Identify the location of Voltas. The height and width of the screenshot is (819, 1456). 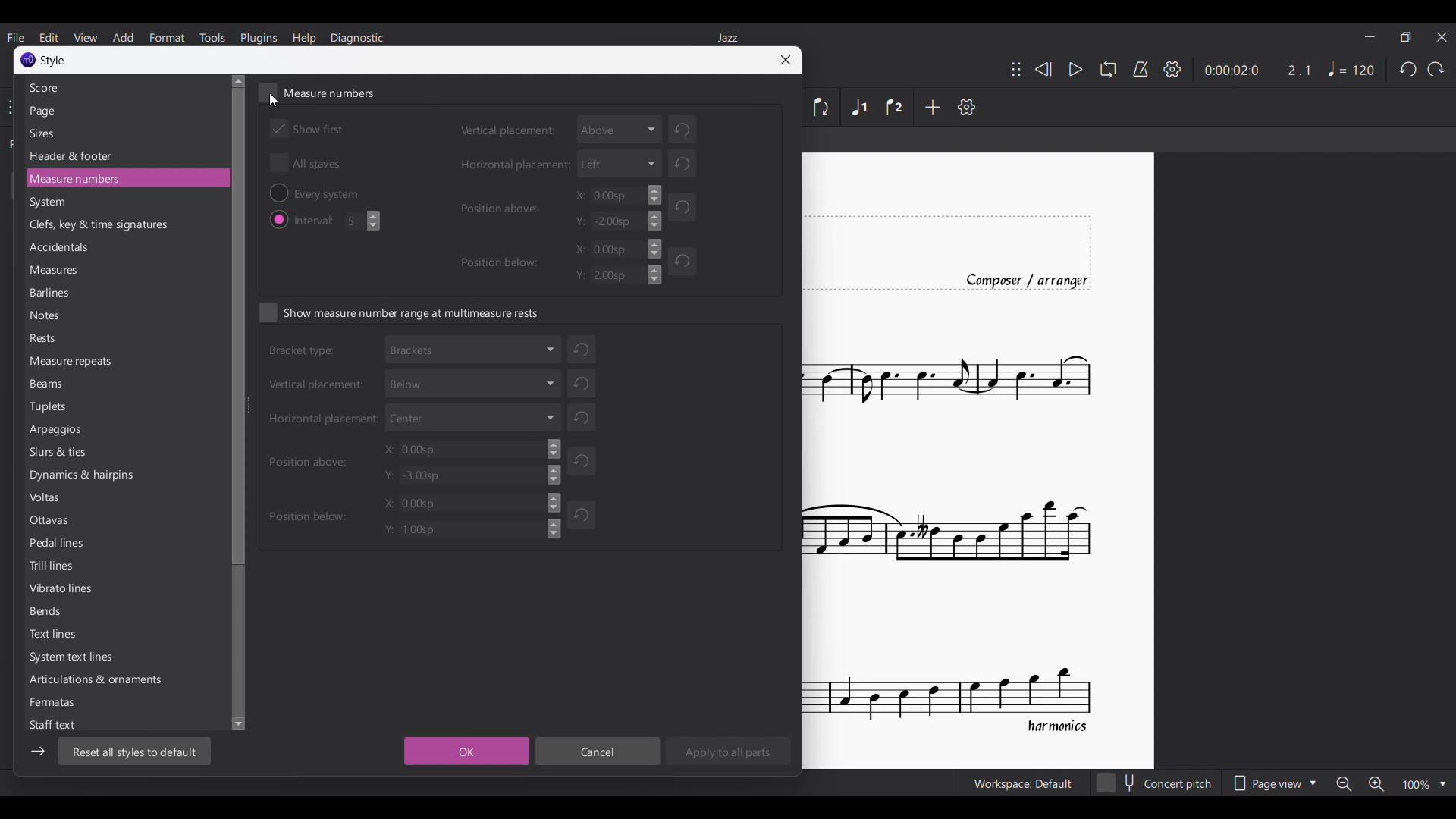
(46, 500).